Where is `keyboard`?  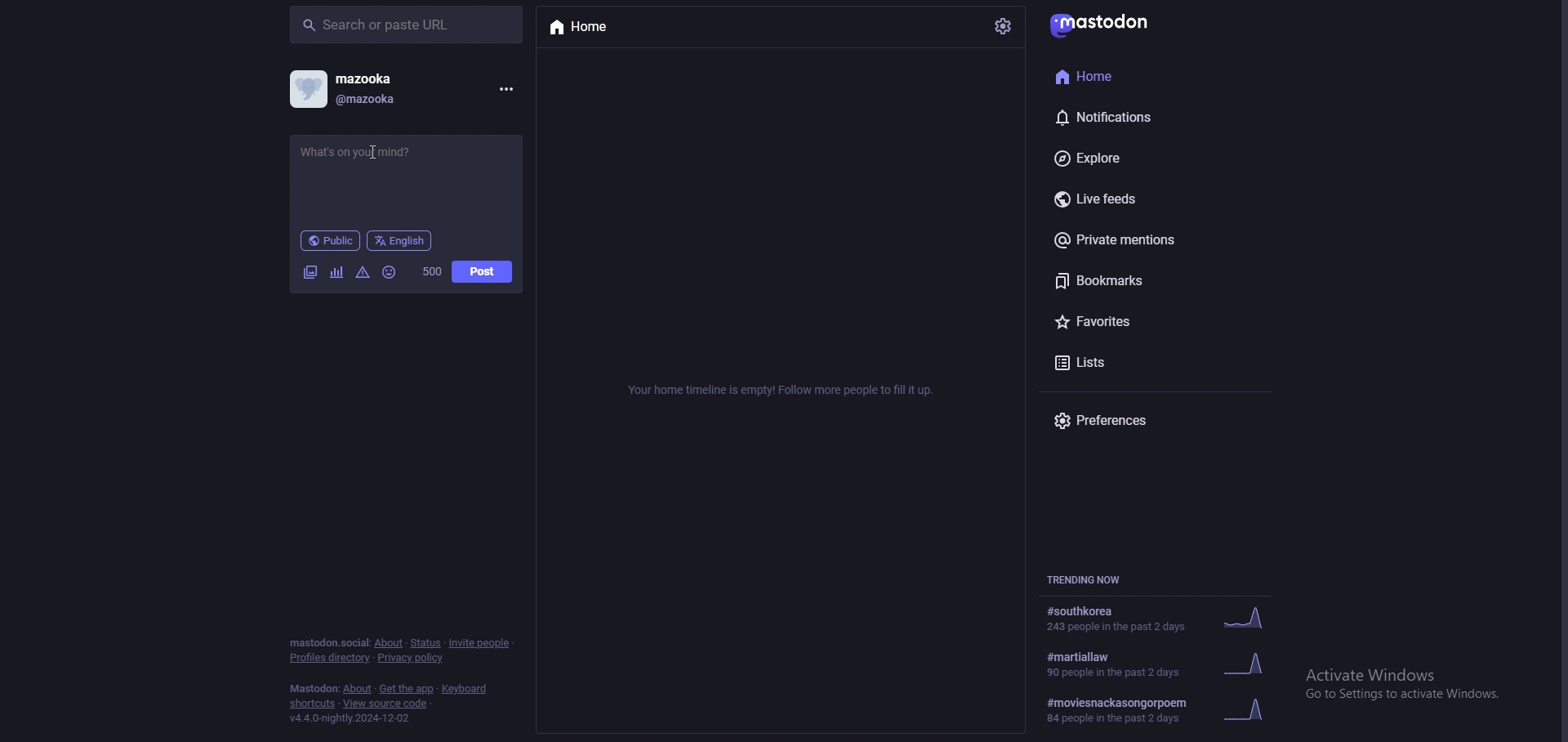
keyboard is located at coordinates (465, 688).